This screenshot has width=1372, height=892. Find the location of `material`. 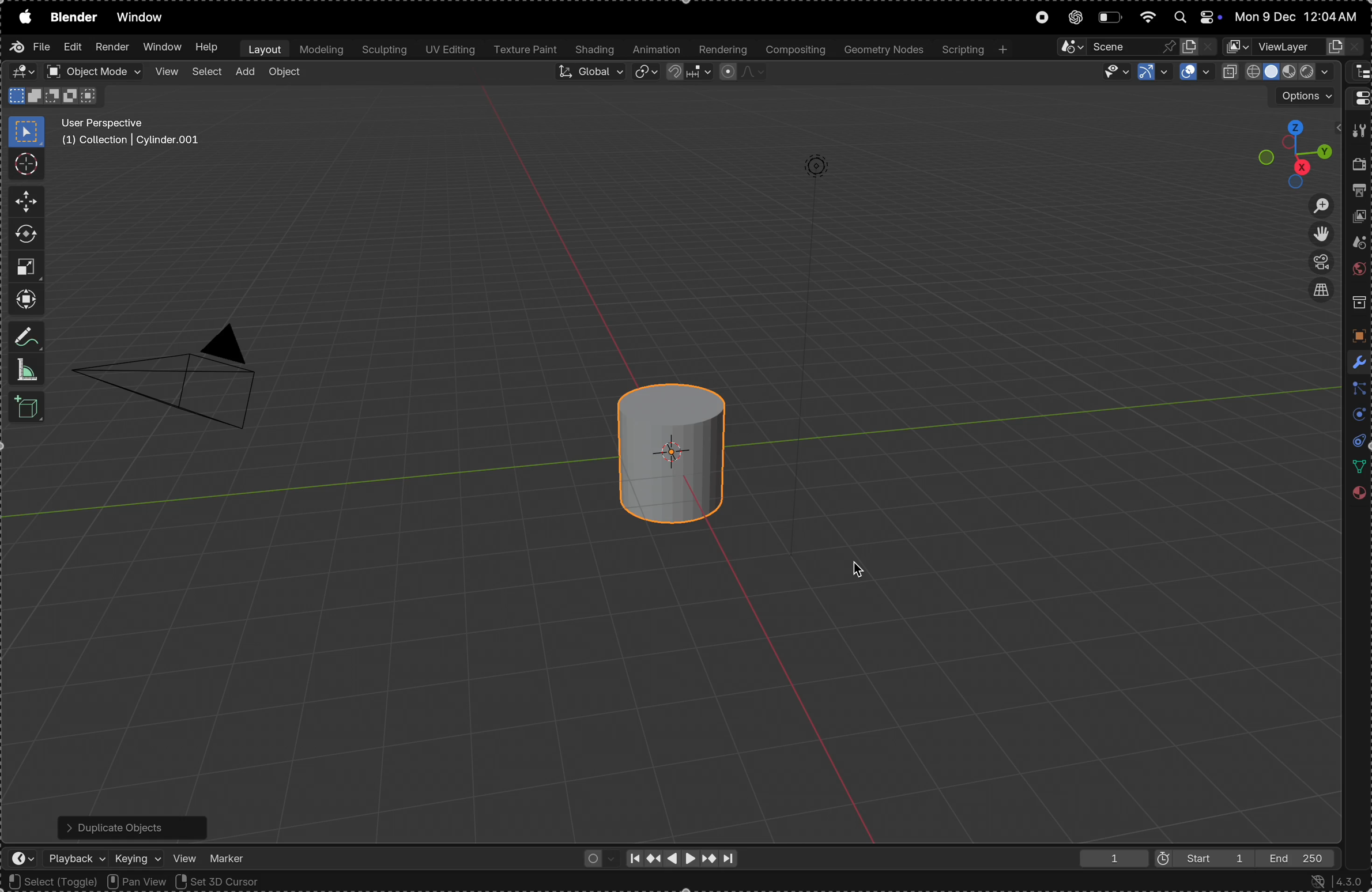

material is located at coordinates (1358, 497).